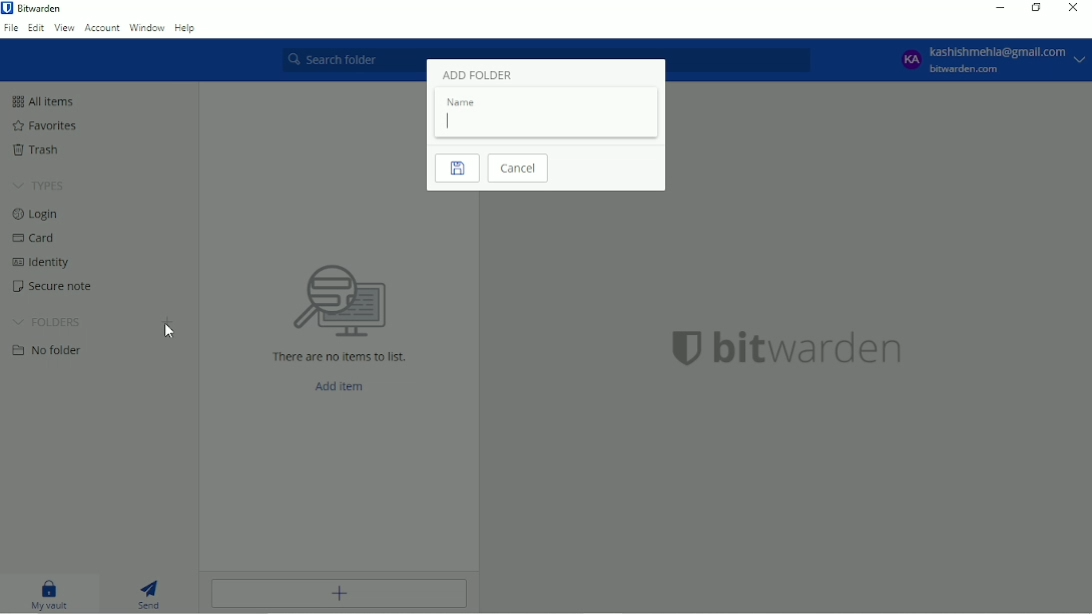 This screenshot has width=1092, height=614. I want to click on Favorites, so click(47, 126).